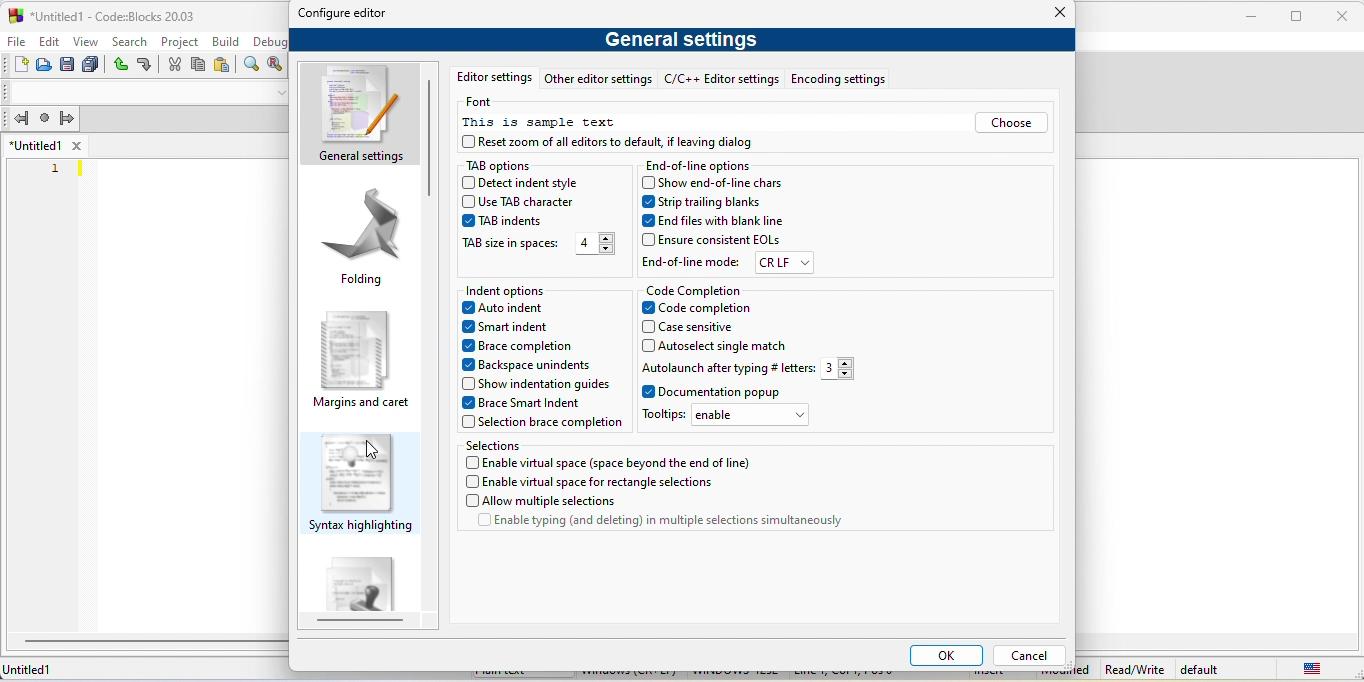 Image resolution: width=1364 pixels, height=682 pixels. What do you see at coordinates (1027, 654) in the screenshot?
I see `cancel` at bounding box center [1027, 654].